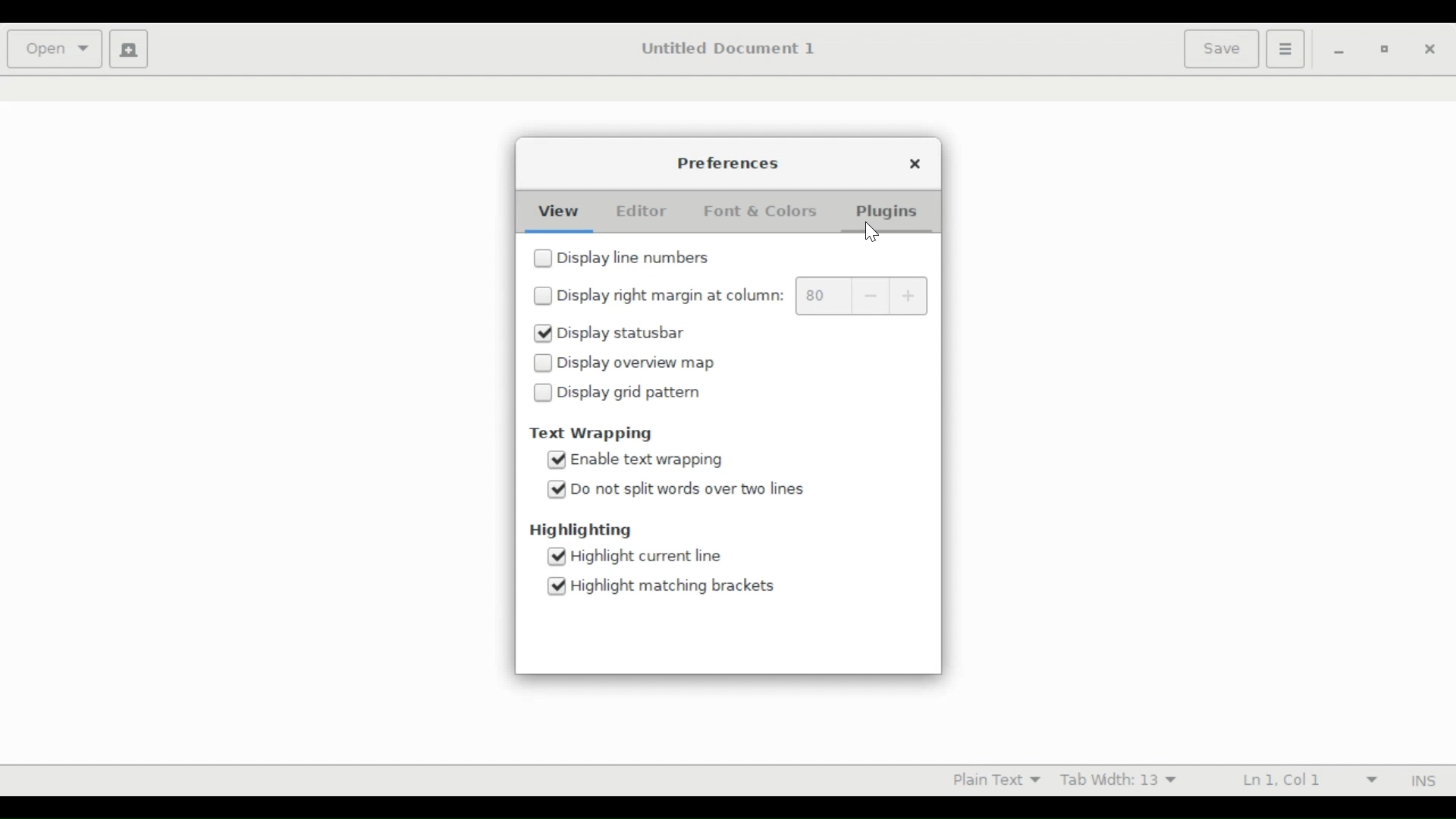 The height and width of the screenshot is (819, 1456). Describe the element at coordinates (822, 296) in the screenshot. I see `80` at that location.